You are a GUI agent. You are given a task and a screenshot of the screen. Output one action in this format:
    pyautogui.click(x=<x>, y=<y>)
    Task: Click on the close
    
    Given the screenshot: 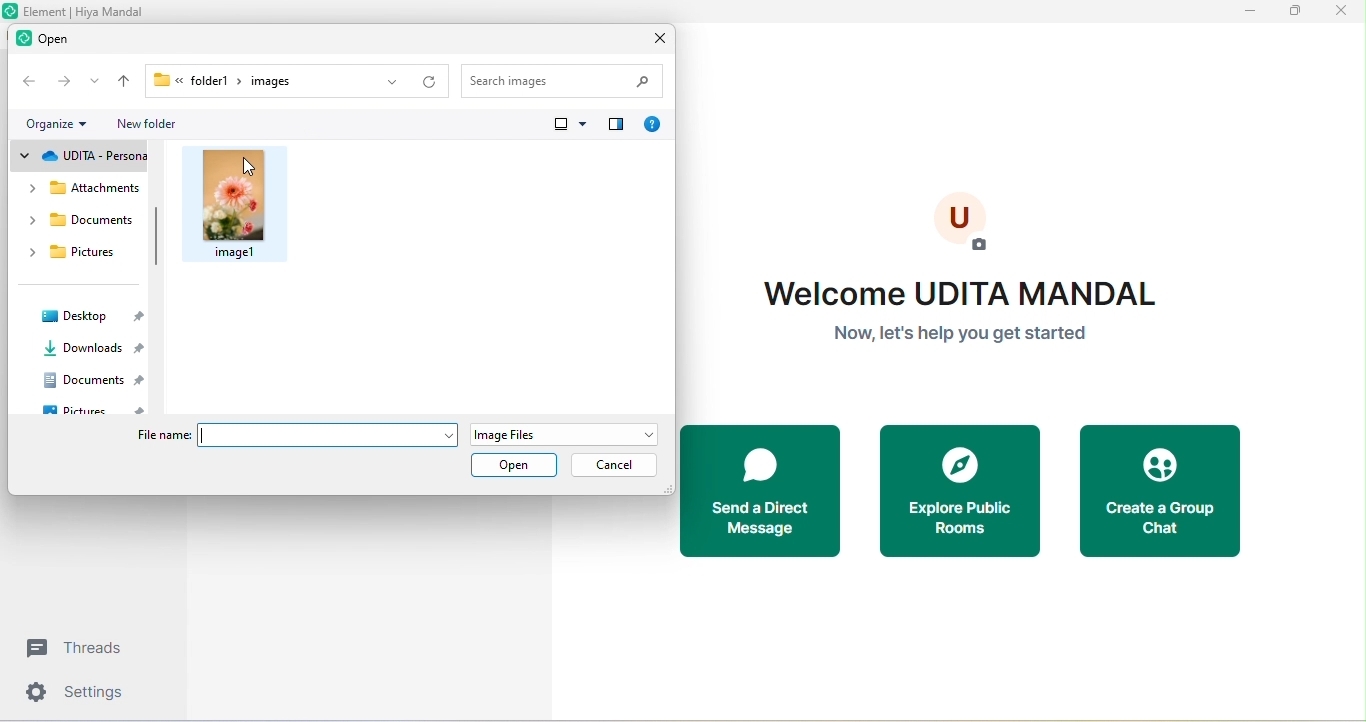 What is the action you would take?
    pyautogui.click(x=654, y=37)
    